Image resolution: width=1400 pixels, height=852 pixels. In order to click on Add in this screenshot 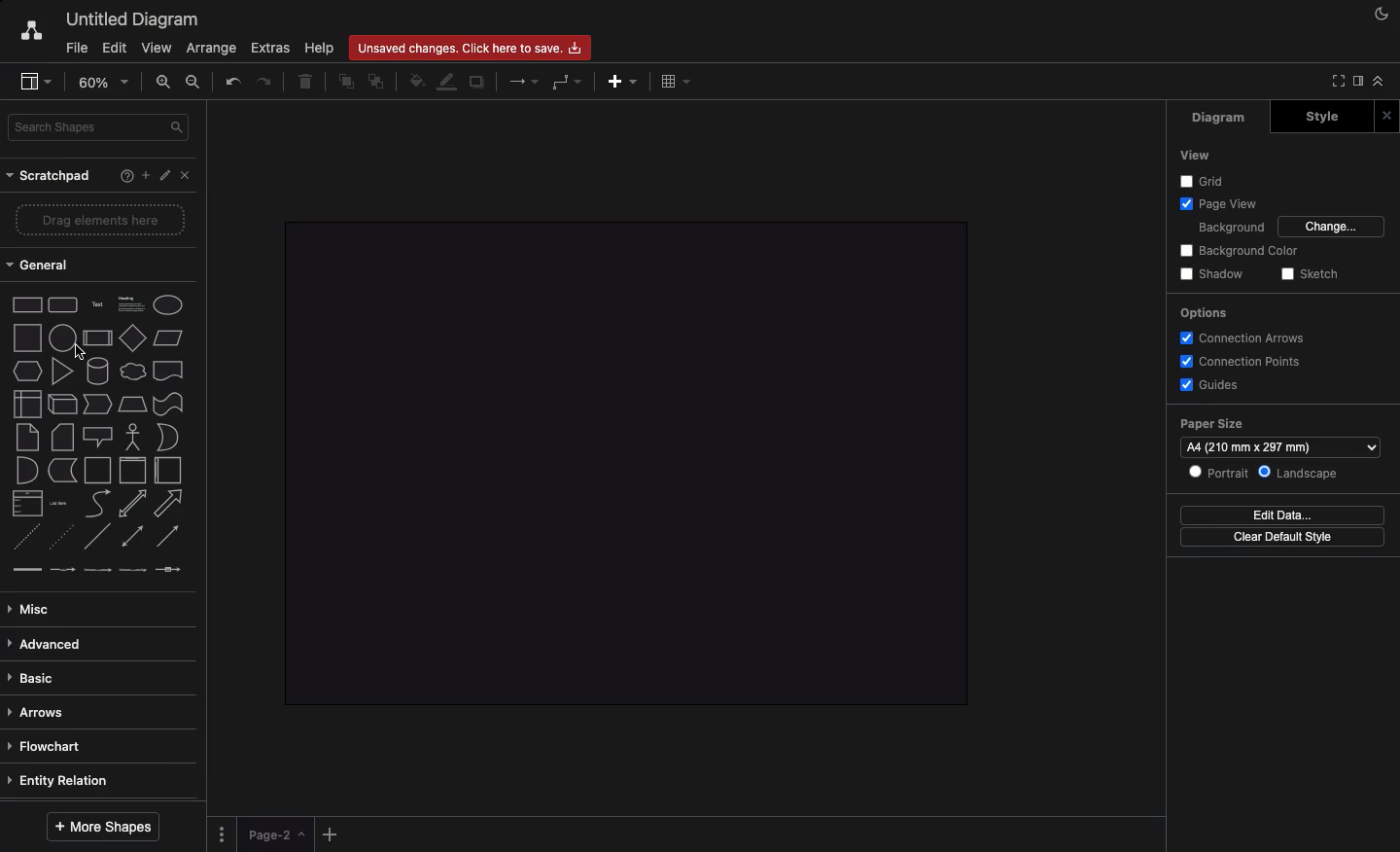, I will do `click(331, 834)`.